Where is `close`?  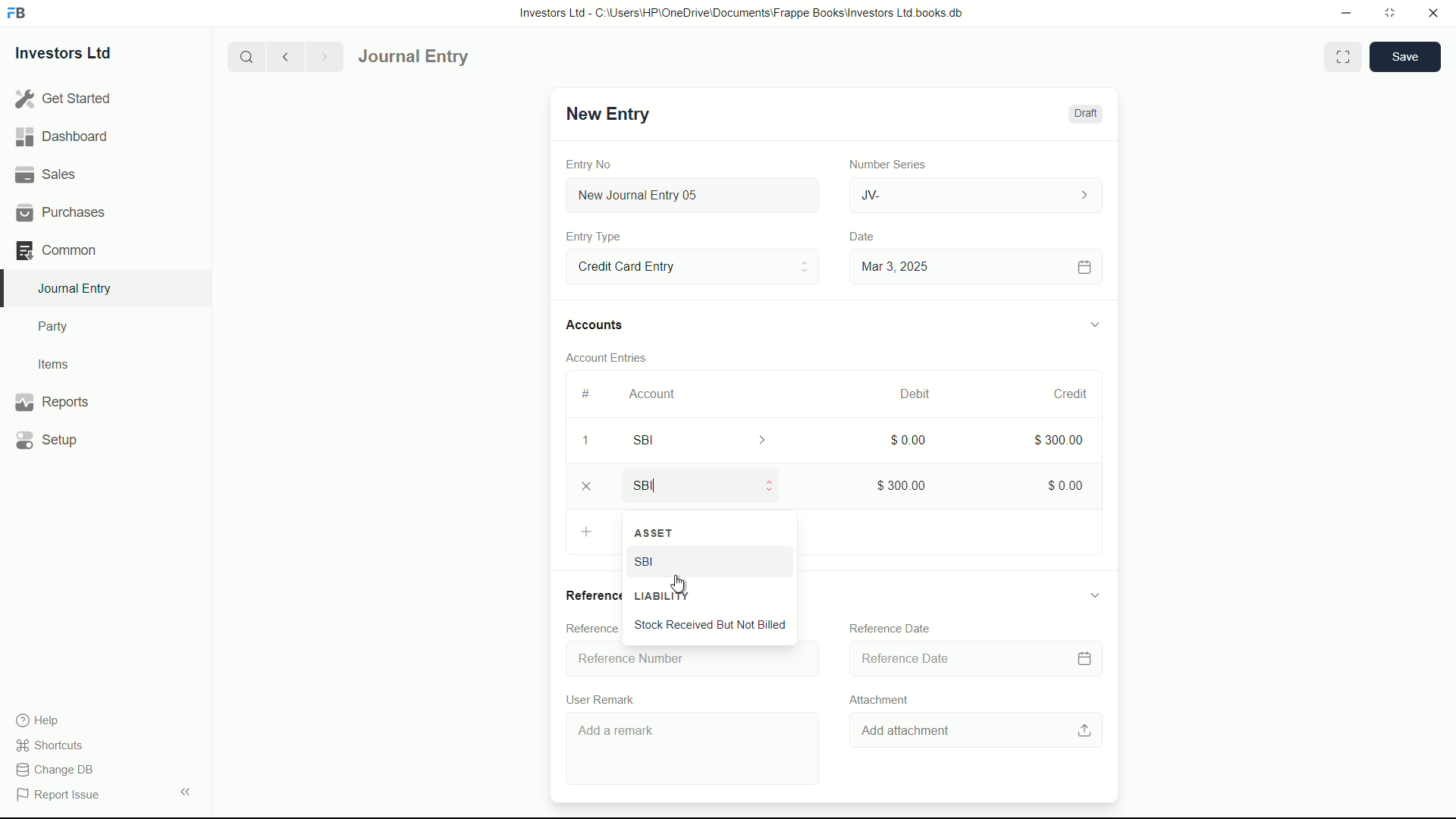 close is located at coordinates (1434, 14).